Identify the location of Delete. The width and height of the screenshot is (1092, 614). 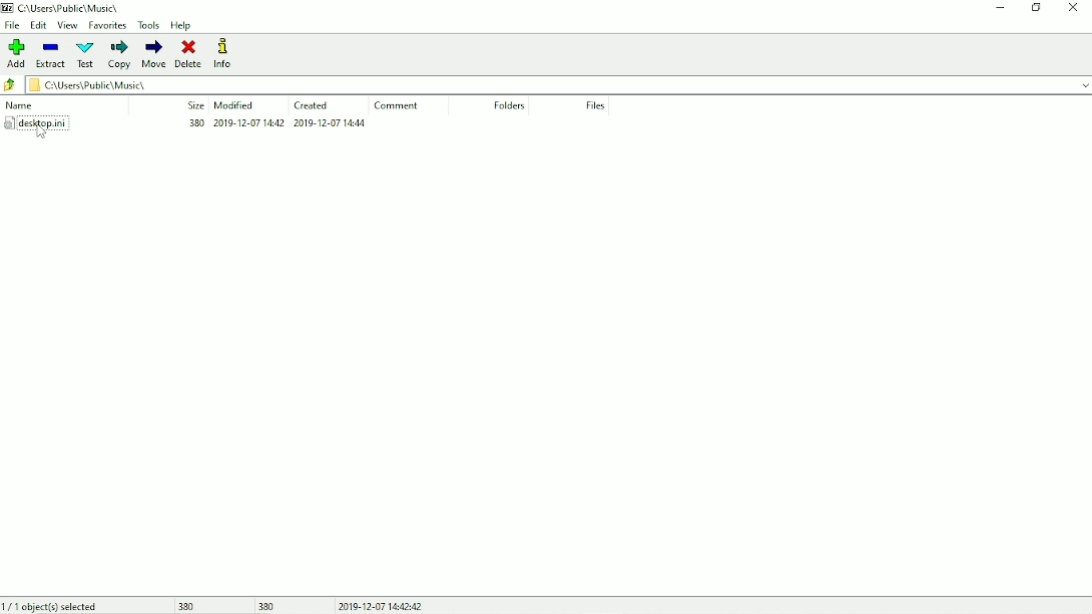
(189, 54).